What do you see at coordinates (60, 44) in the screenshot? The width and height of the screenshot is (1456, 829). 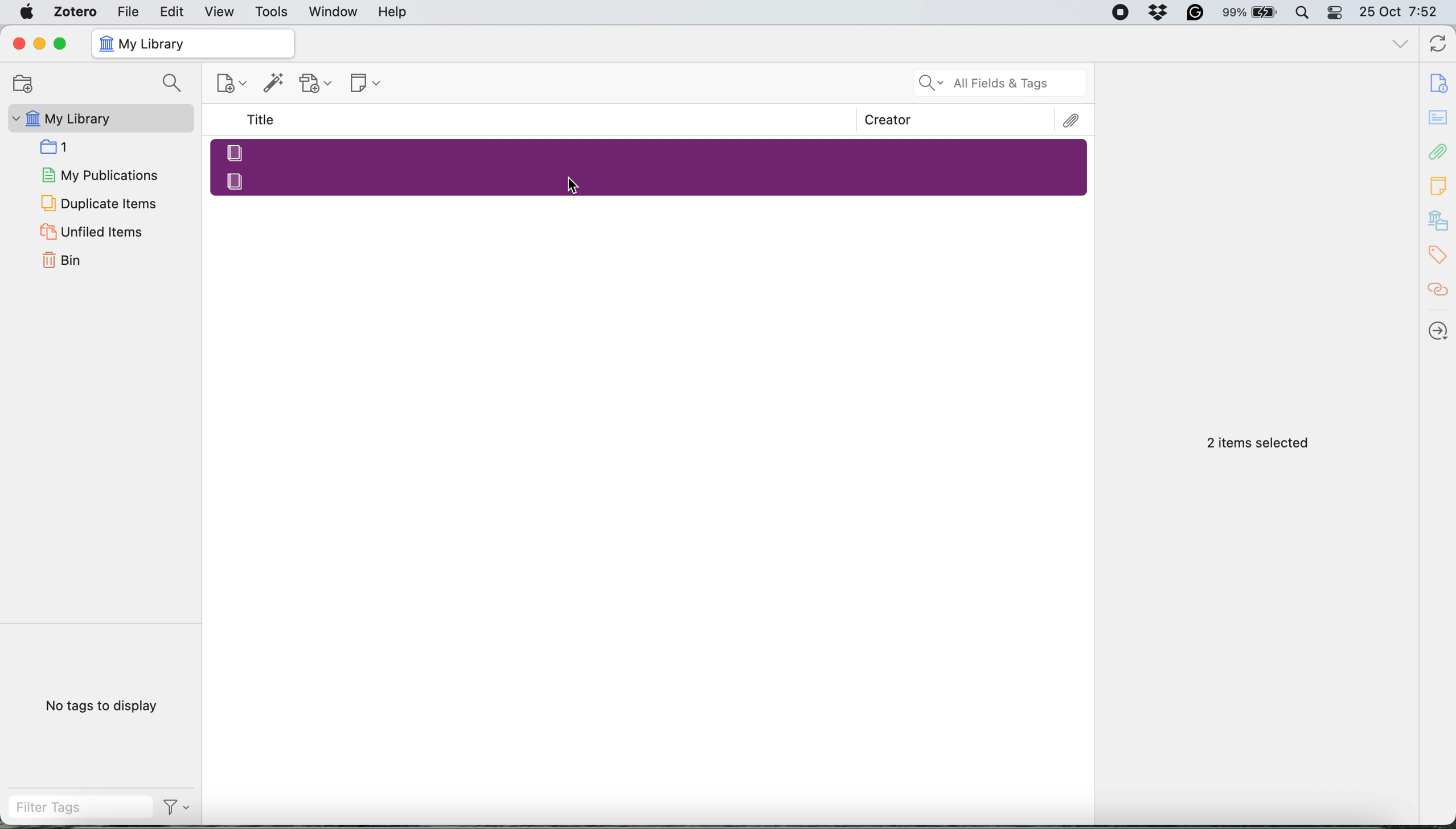 I see `Maximize` at bounding box center [60, 44].